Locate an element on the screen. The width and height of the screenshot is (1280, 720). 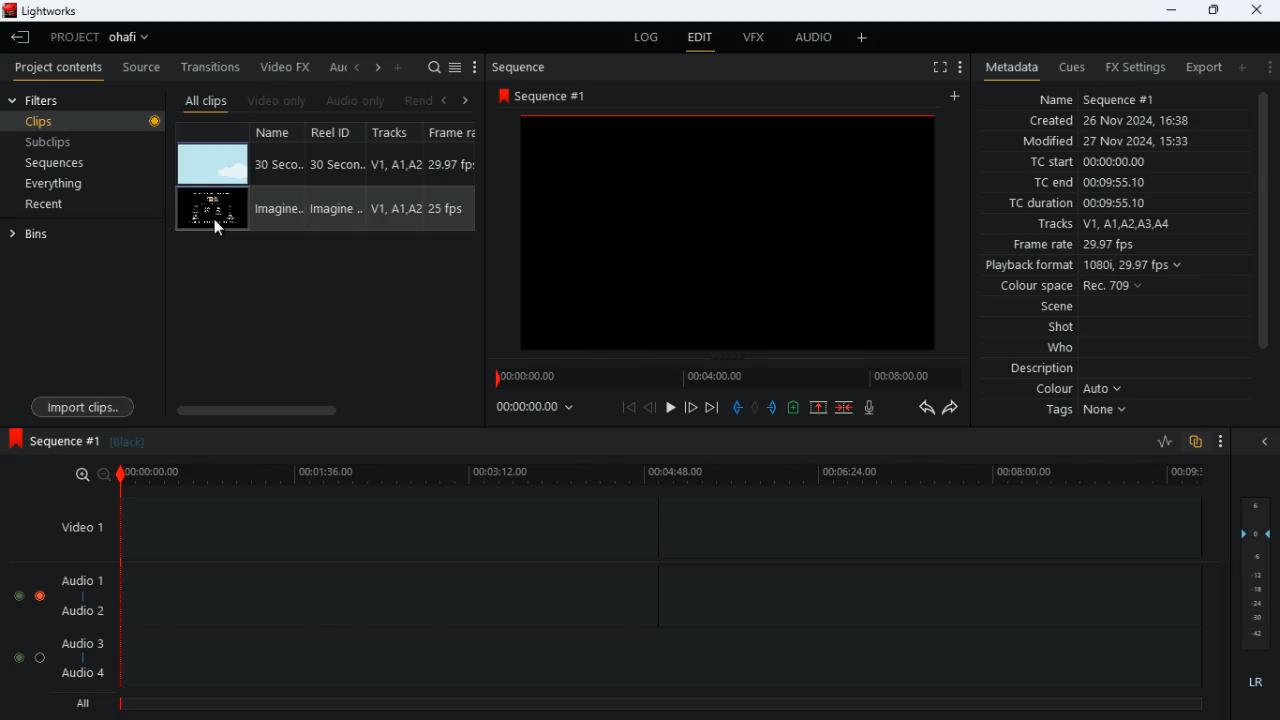
recent is located at coordinates (62, 206).